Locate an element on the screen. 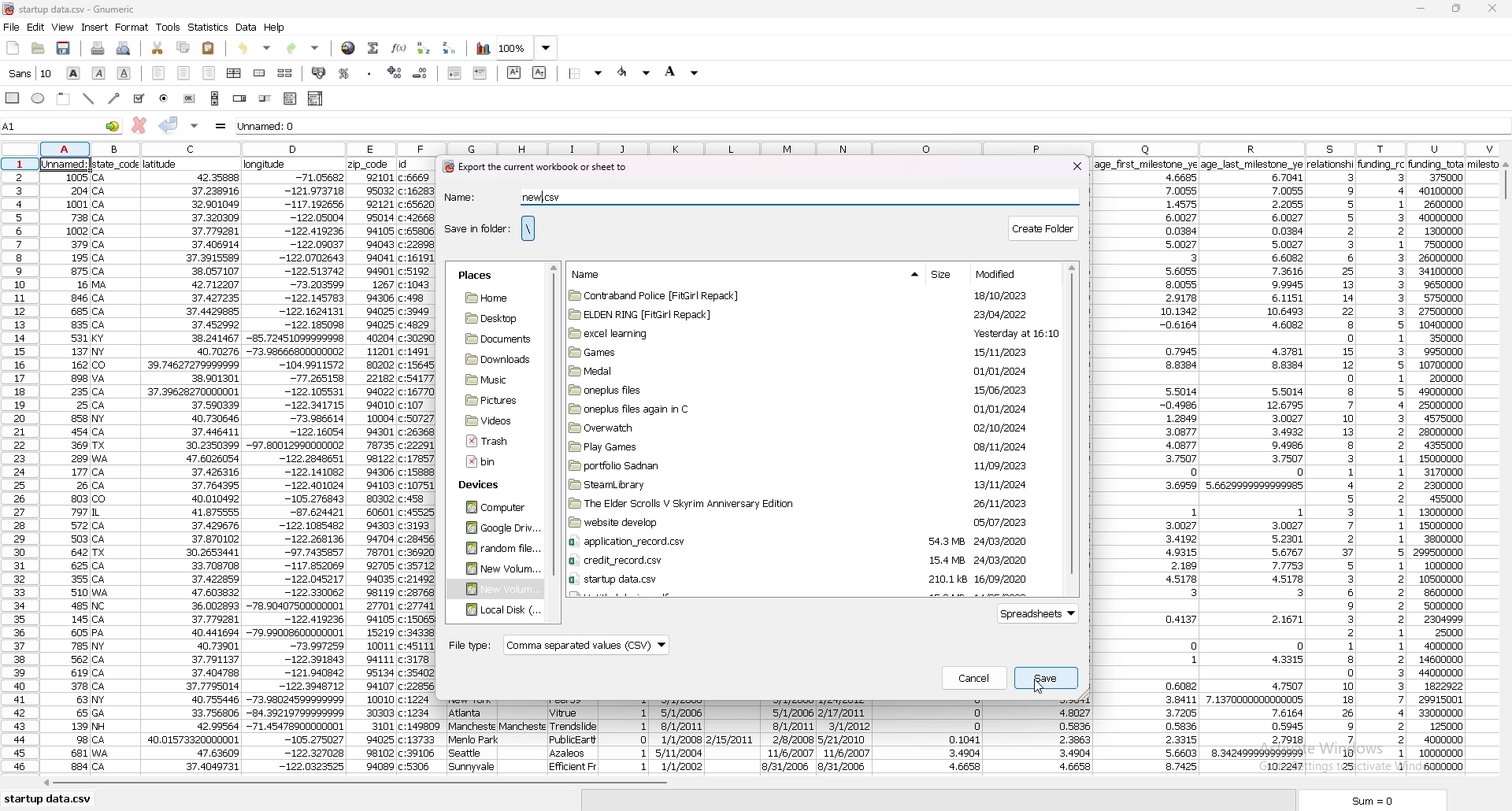 The height and width of the screenshot is (811, 1512). folder is located at coordinates (496, 610).